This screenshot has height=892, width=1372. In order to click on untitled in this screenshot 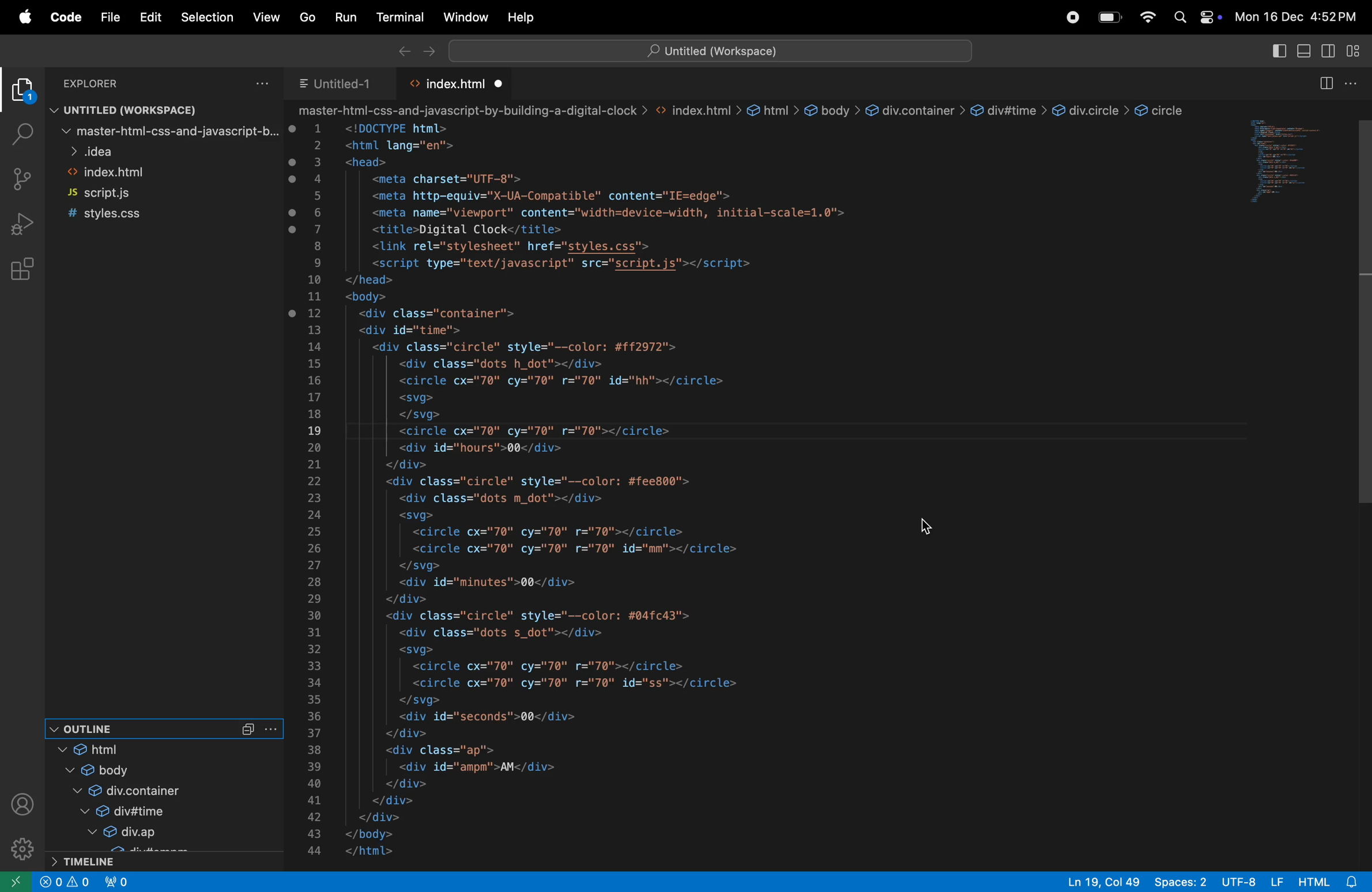, I will do `click(342, 86)`.